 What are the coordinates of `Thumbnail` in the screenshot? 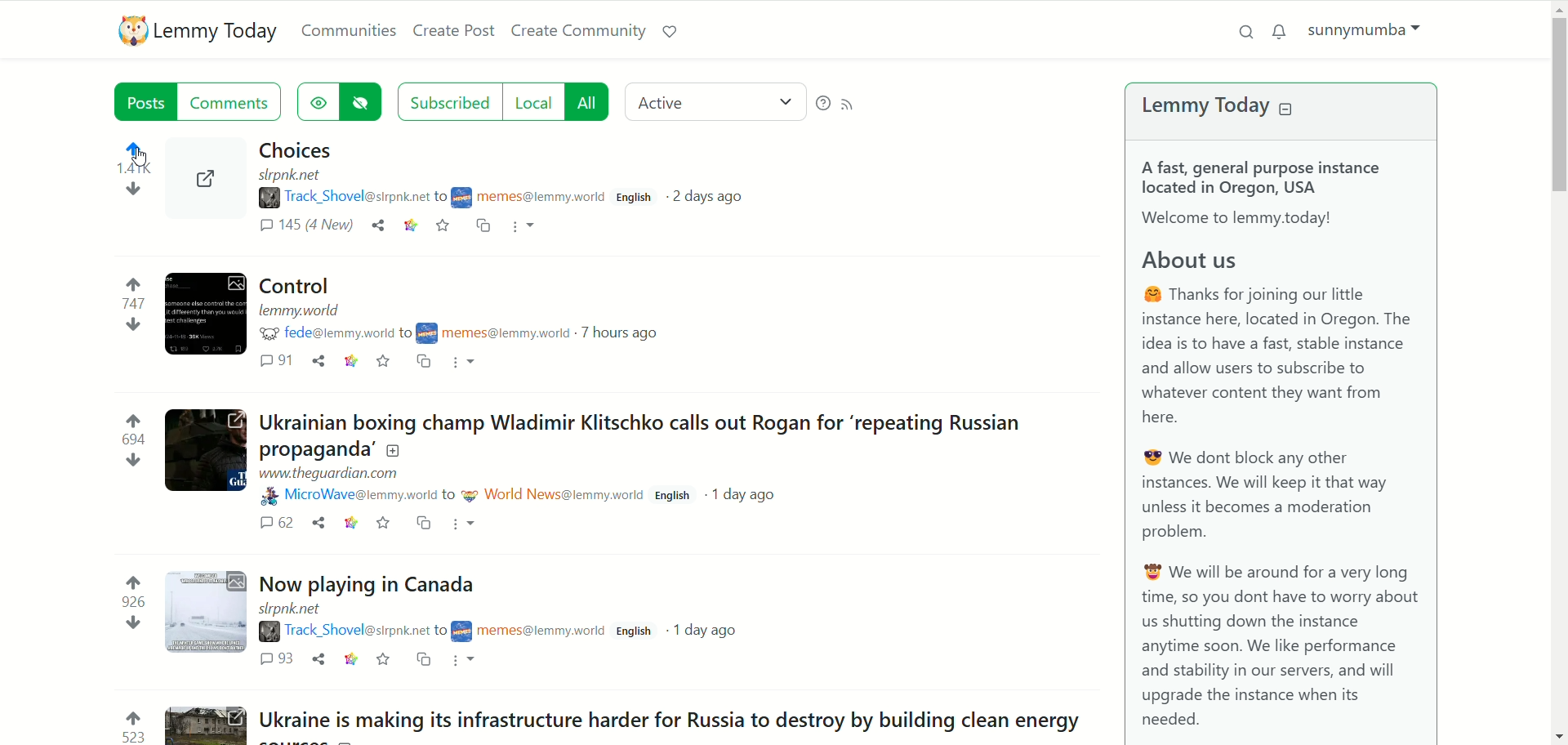 It's located at (209, 191).